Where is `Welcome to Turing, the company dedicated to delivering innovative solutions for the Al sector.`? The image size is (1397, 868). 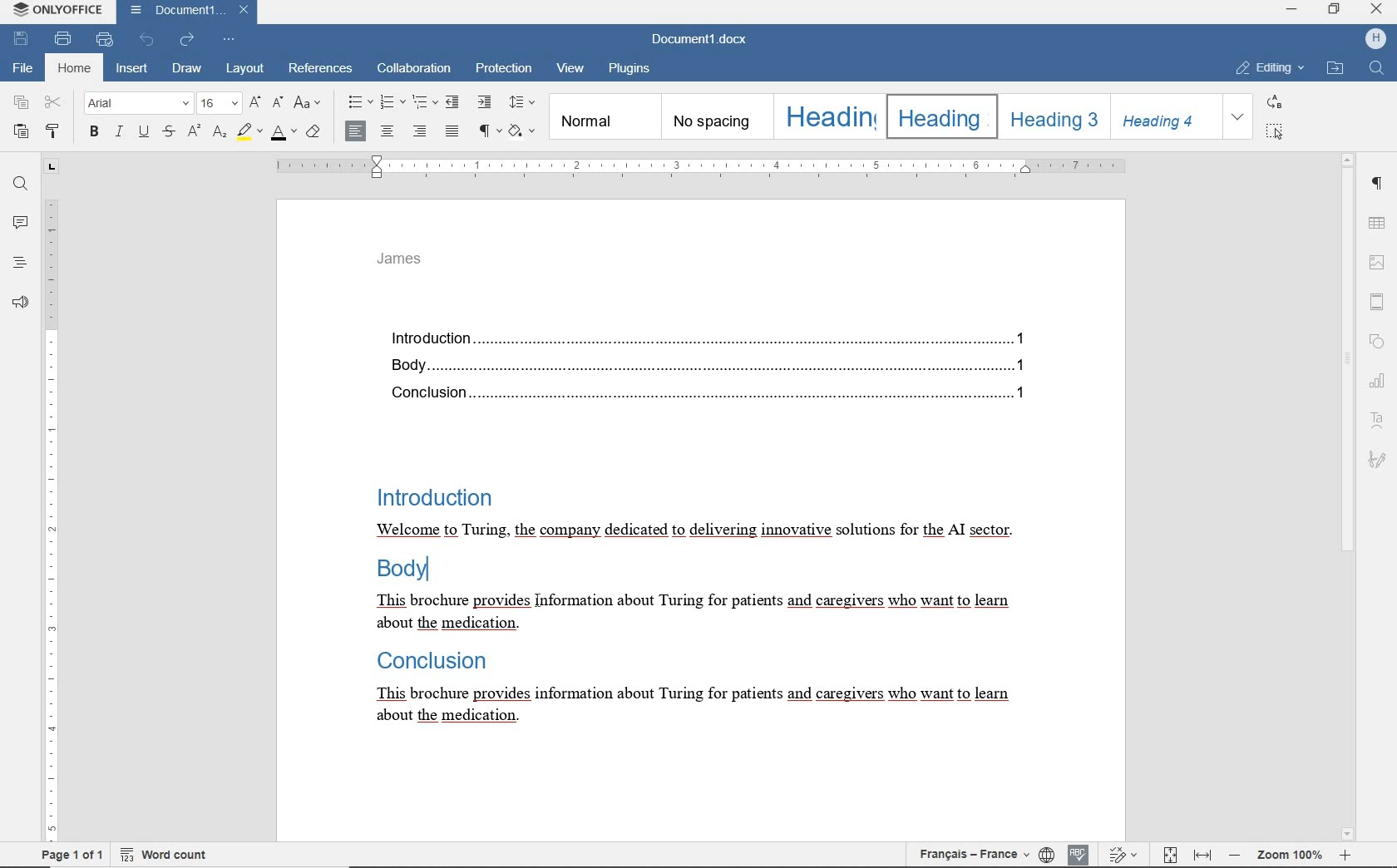 Welcome to Turing, the company dedicated to delivering innovative solutions for the Al sector. is located at coordinates (694, 531).